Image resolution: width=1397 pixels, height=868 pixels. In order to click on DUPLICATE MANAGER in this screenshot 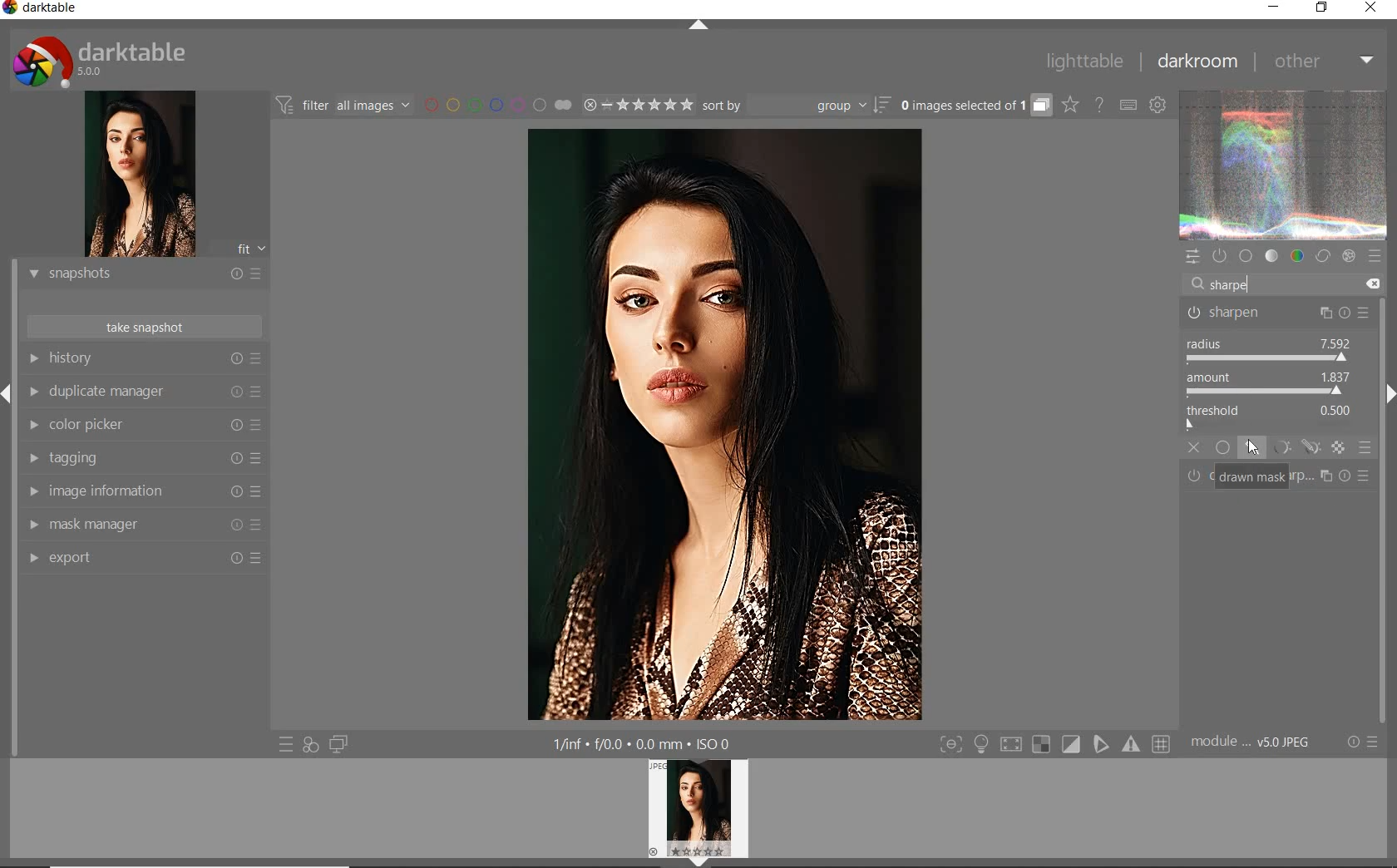, I will do `click(146, 394)`.